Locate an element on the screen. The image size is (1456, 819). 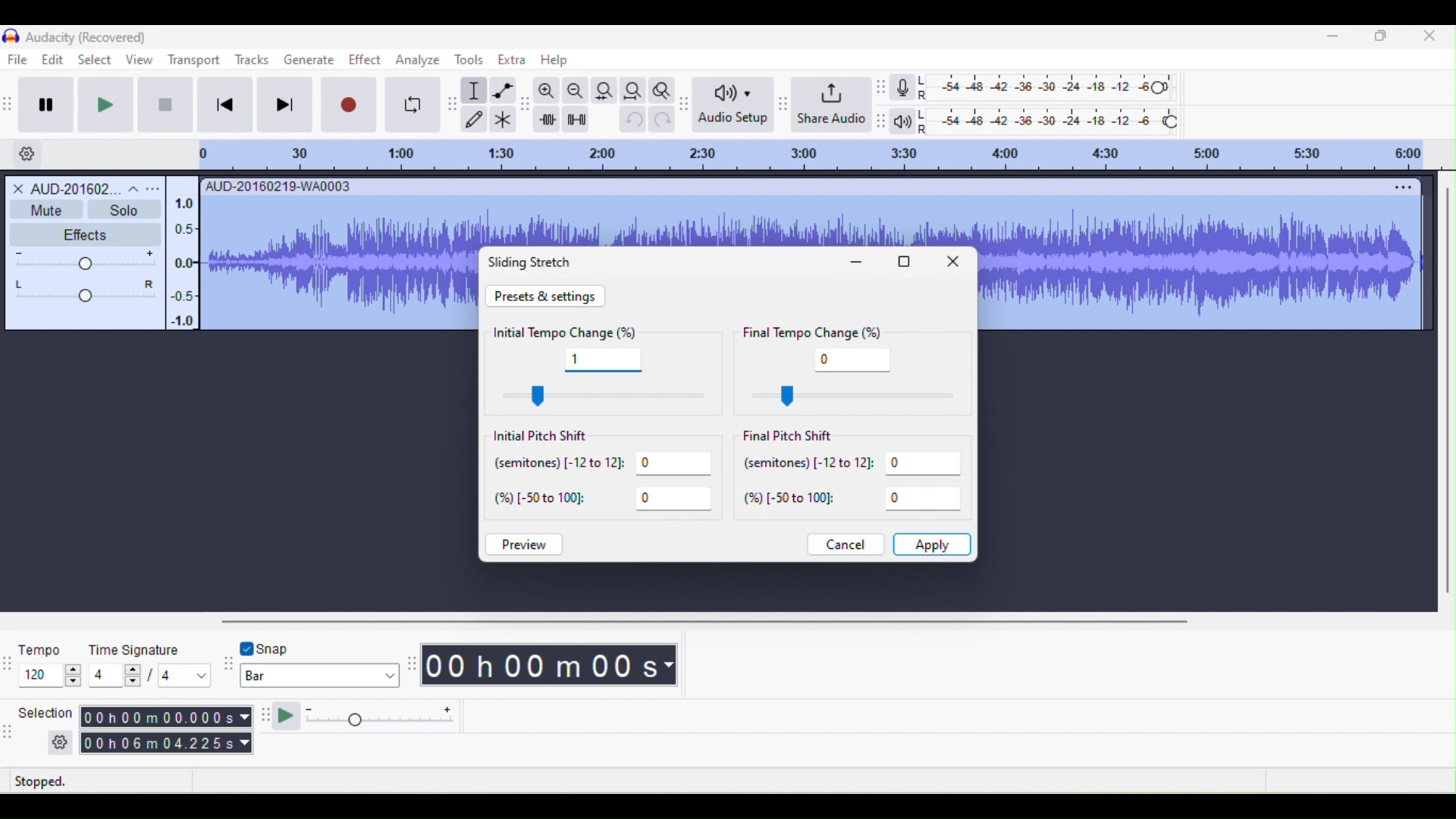
stopped is located at coordinates (61, 782).